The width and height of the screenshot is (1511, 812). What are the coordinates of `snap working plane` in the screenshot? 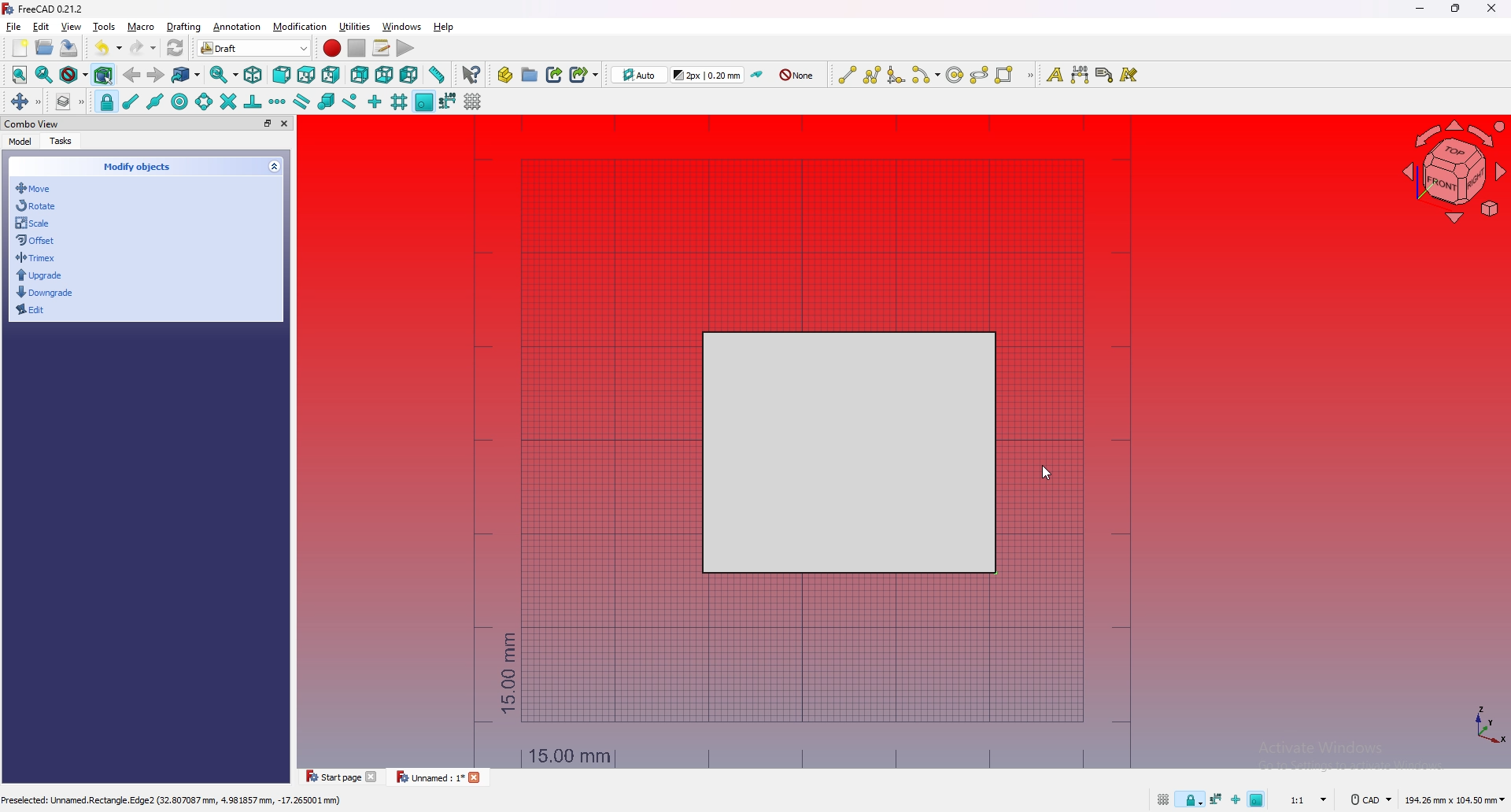 It's located at (1258, 798).